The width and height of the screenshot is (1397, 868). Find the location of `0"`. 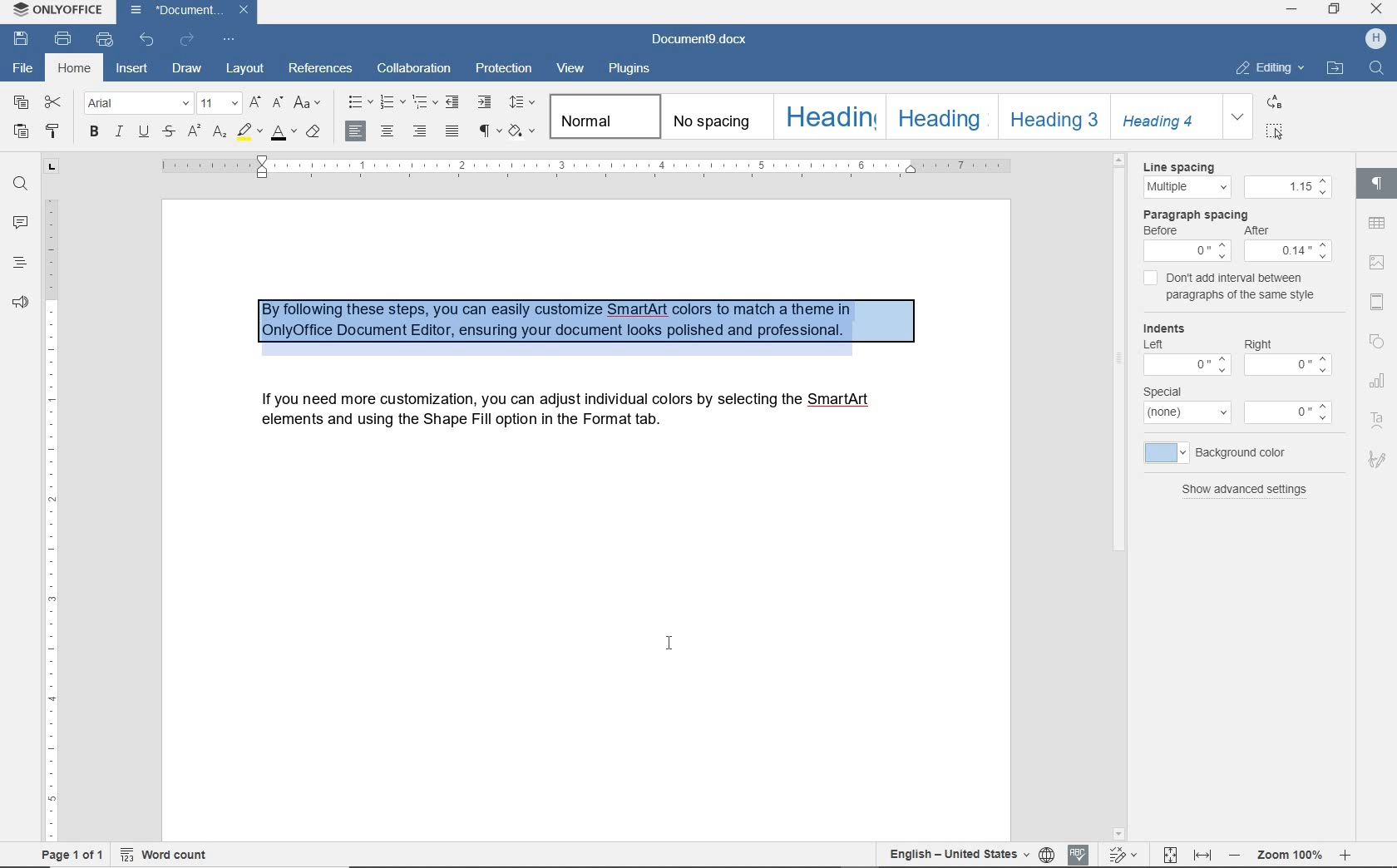

0" is located at coordinates (1182, 367).